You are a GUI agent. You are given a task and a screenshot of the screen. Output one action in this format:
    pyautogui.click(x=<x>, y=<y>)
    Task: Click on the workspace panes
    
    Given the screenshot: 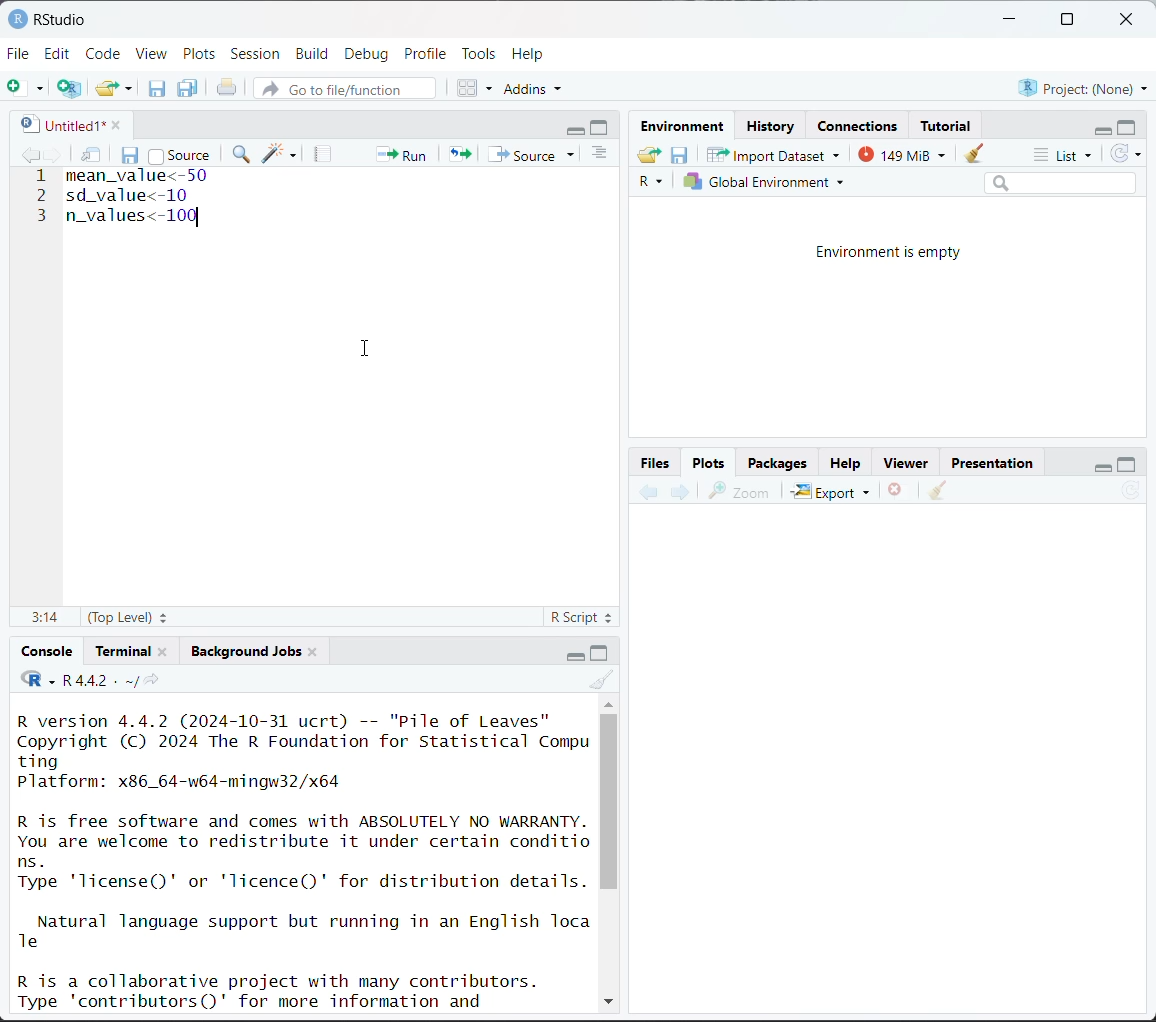 What is the action you would take?
    pyautogui.click(x=476, y=87)
    